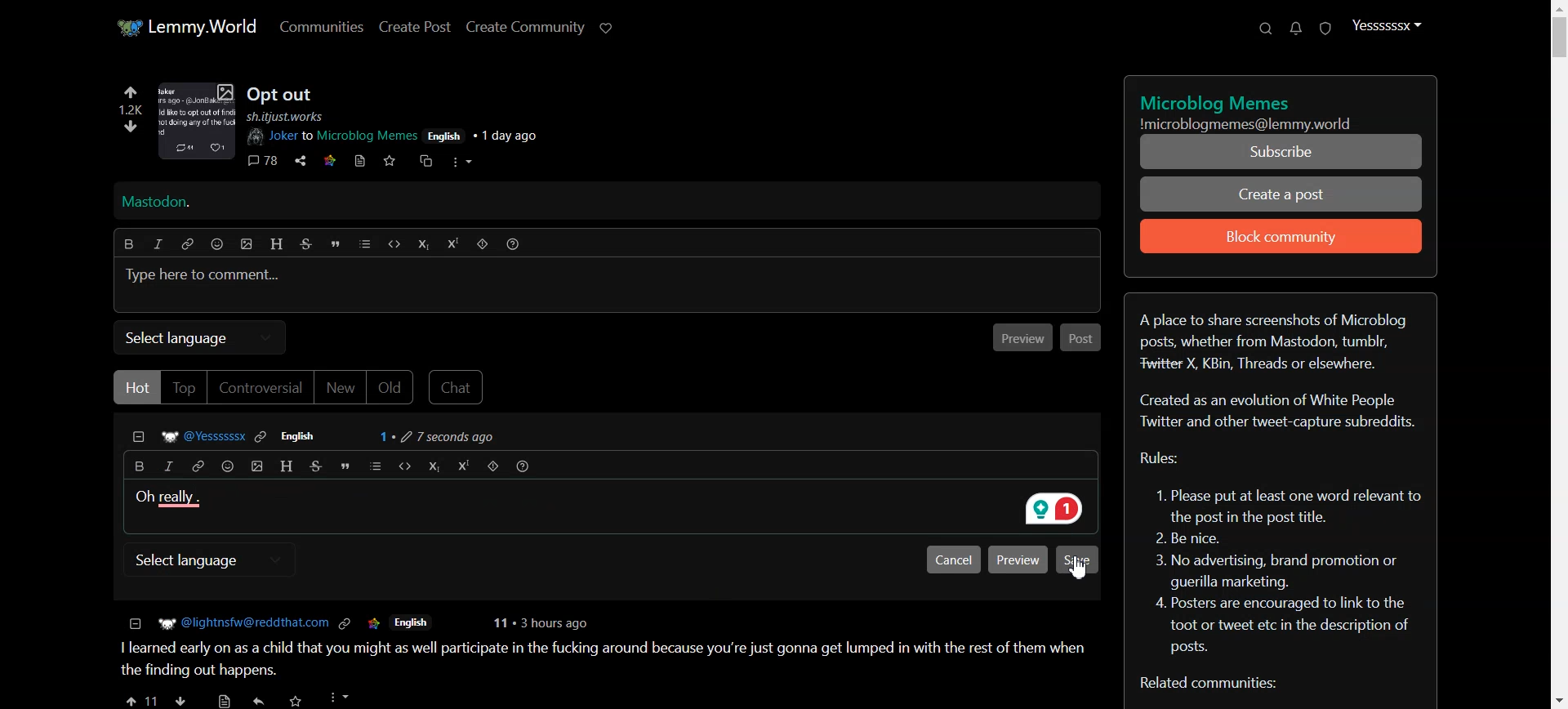 This screenshot has height=709, width=1568. What do you see at coordinates (197, 466) in the screenshot?
I see `Hyperlink` at bounding box center [197, 466].